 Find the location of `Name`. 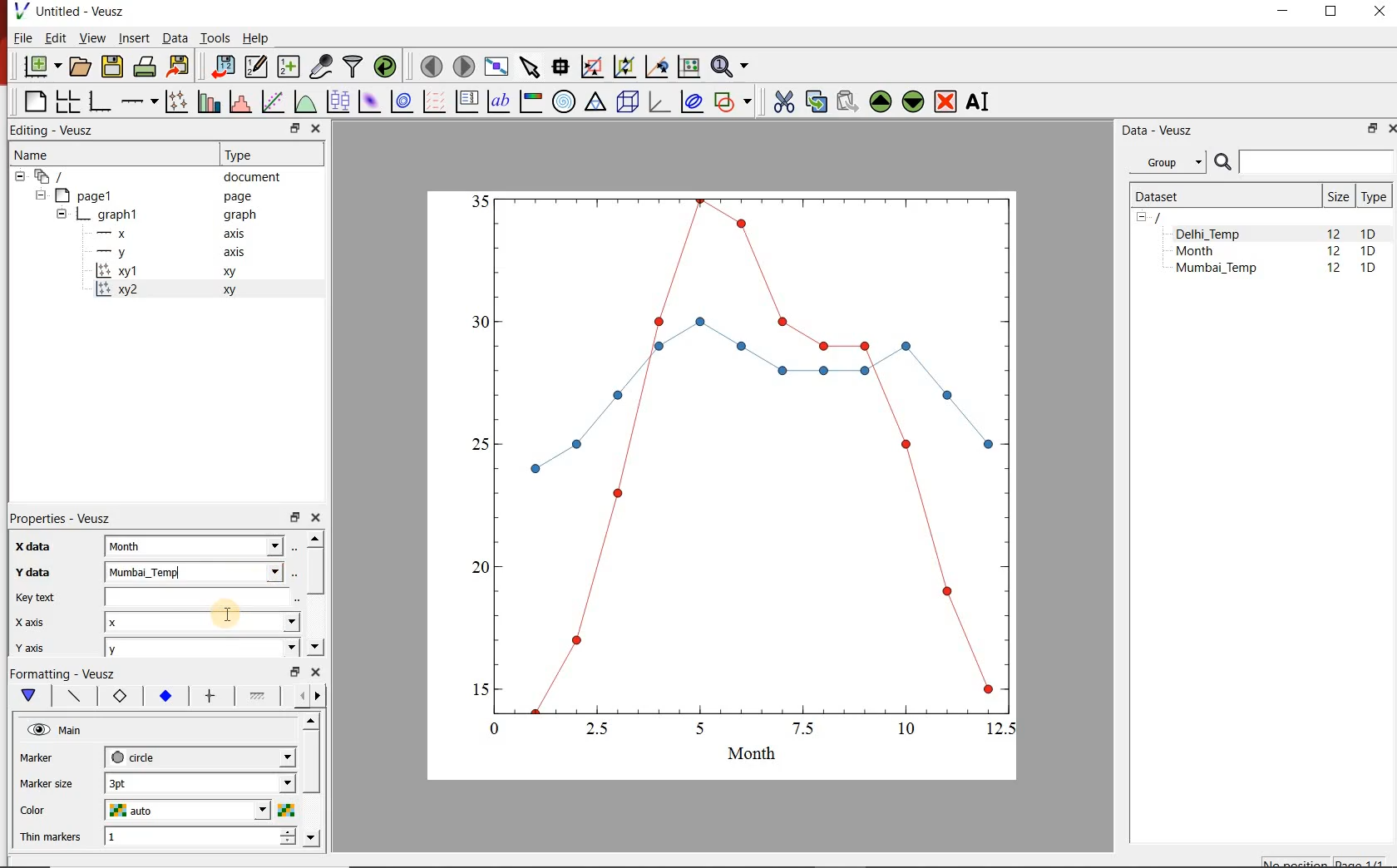

Name is located at coordinates (33, 154).